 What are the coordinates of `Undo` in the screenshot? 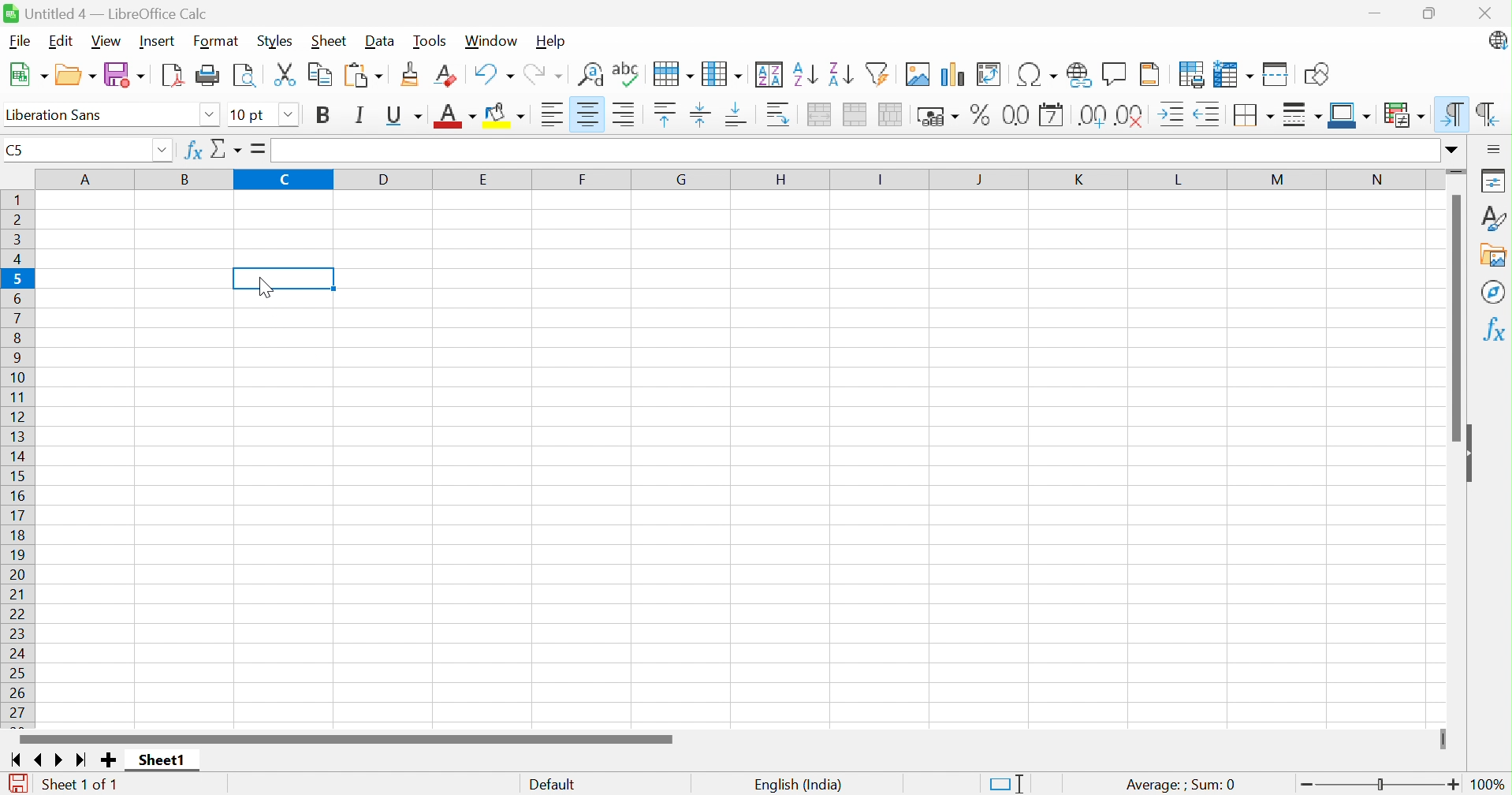 It's located at (493, 73).